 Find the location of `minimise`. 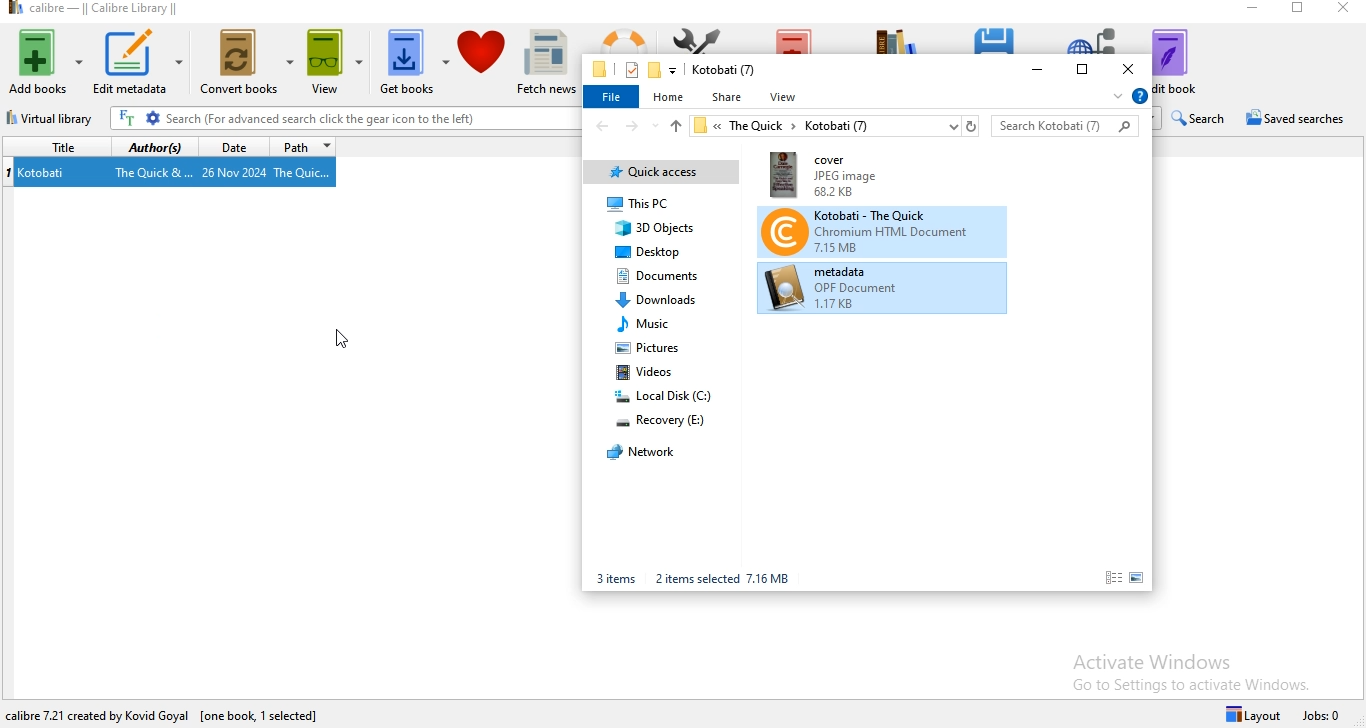

minimise is located at coordinates (1254, 8).